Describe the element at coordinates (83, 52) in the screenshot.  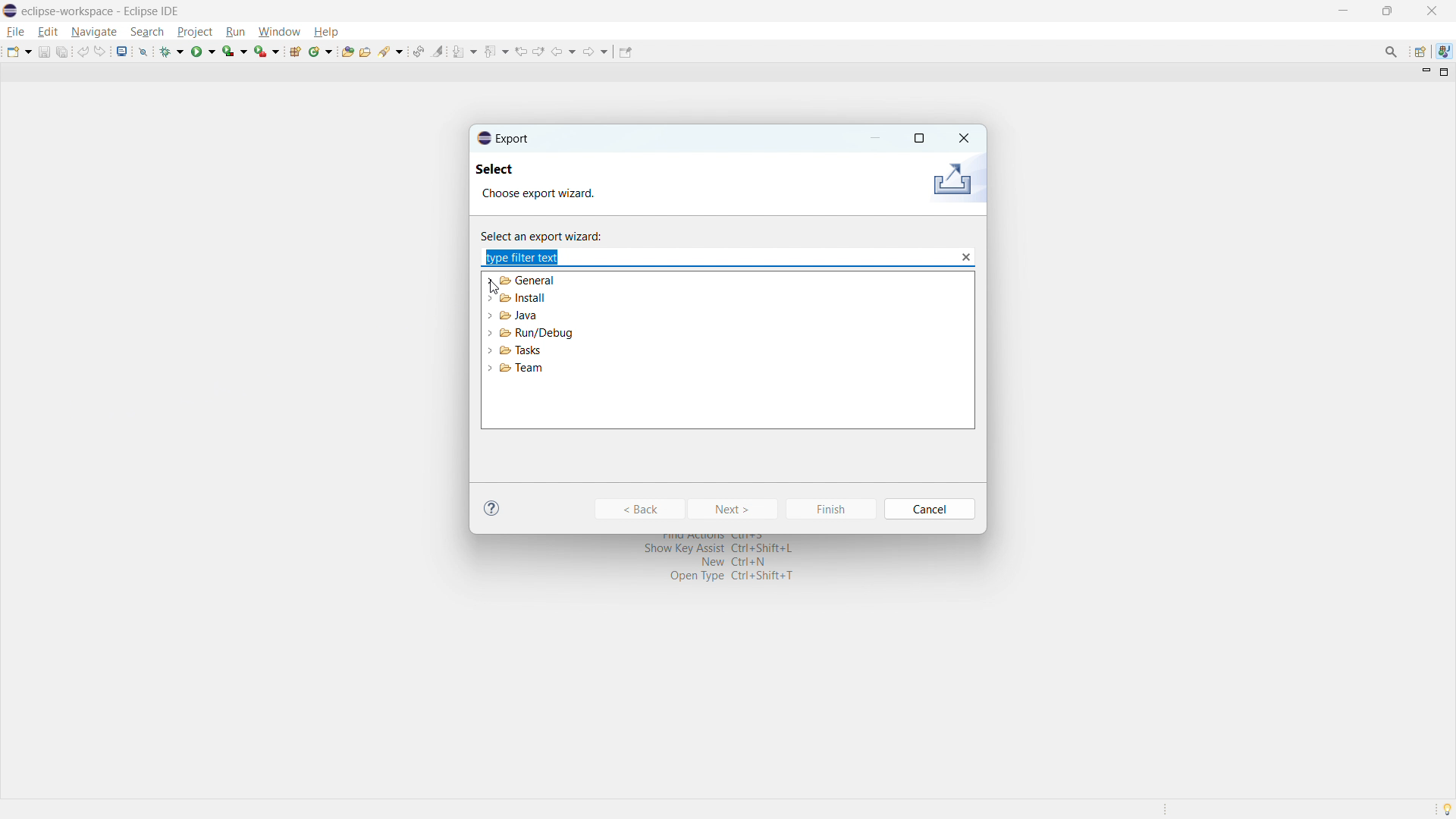
I see `undo` at that location.